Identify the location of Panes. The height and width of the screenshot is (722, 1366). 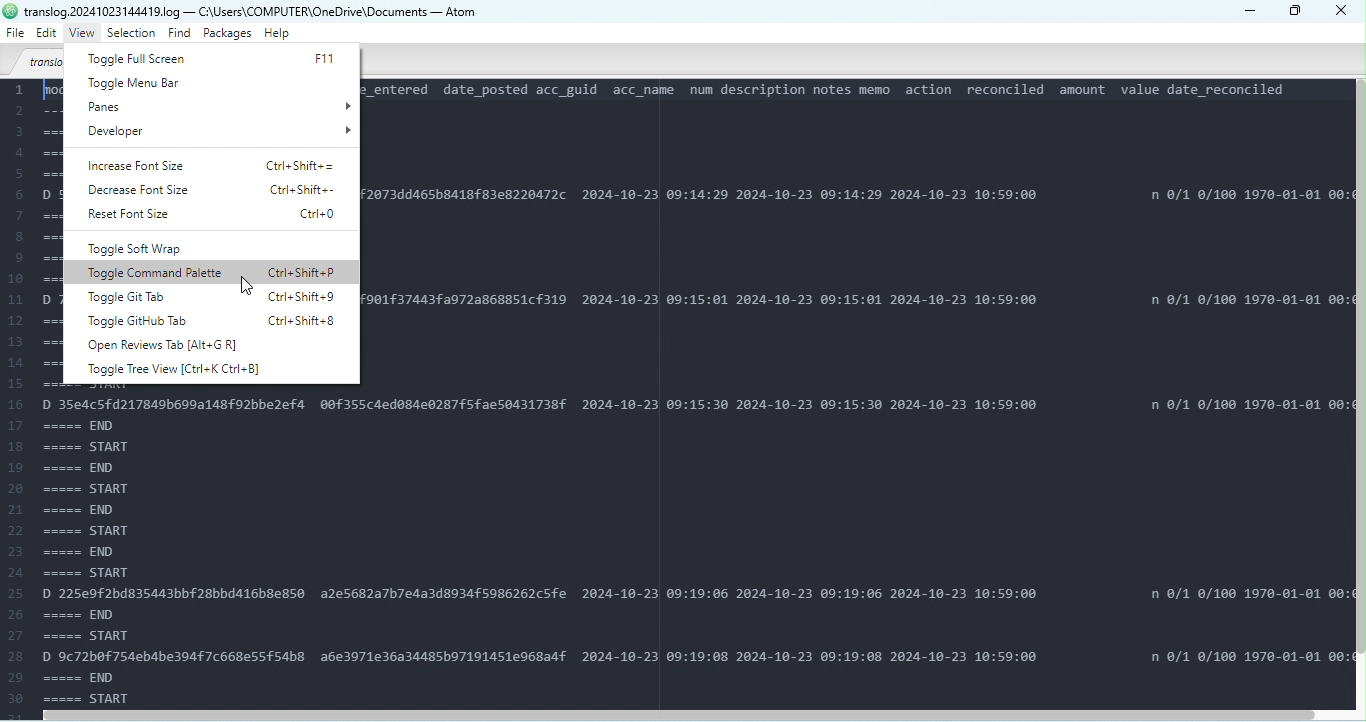
(217, 106).